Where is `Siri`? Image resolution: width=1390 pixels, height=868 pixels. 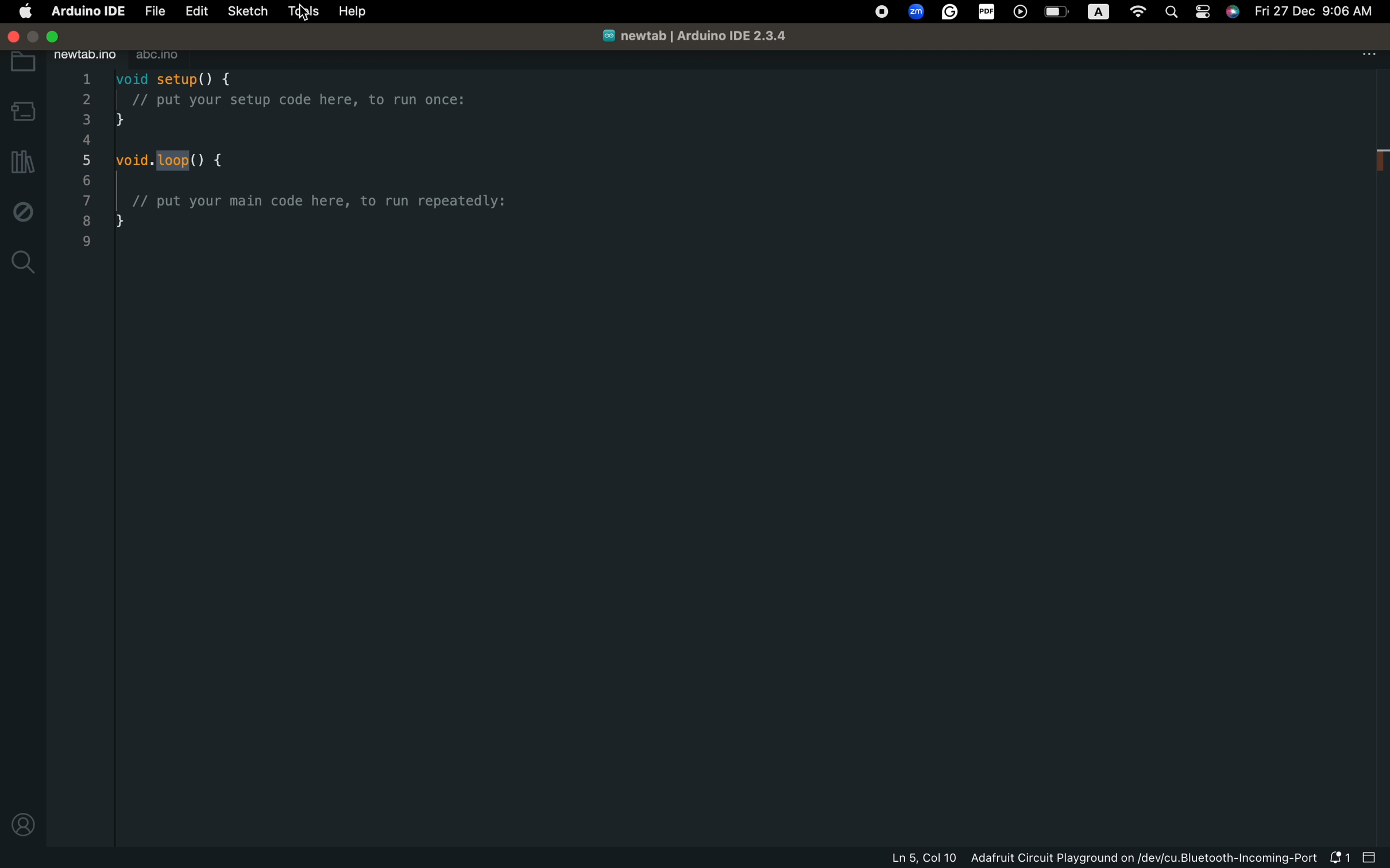 Siri is located at coordinates (1234, 13).